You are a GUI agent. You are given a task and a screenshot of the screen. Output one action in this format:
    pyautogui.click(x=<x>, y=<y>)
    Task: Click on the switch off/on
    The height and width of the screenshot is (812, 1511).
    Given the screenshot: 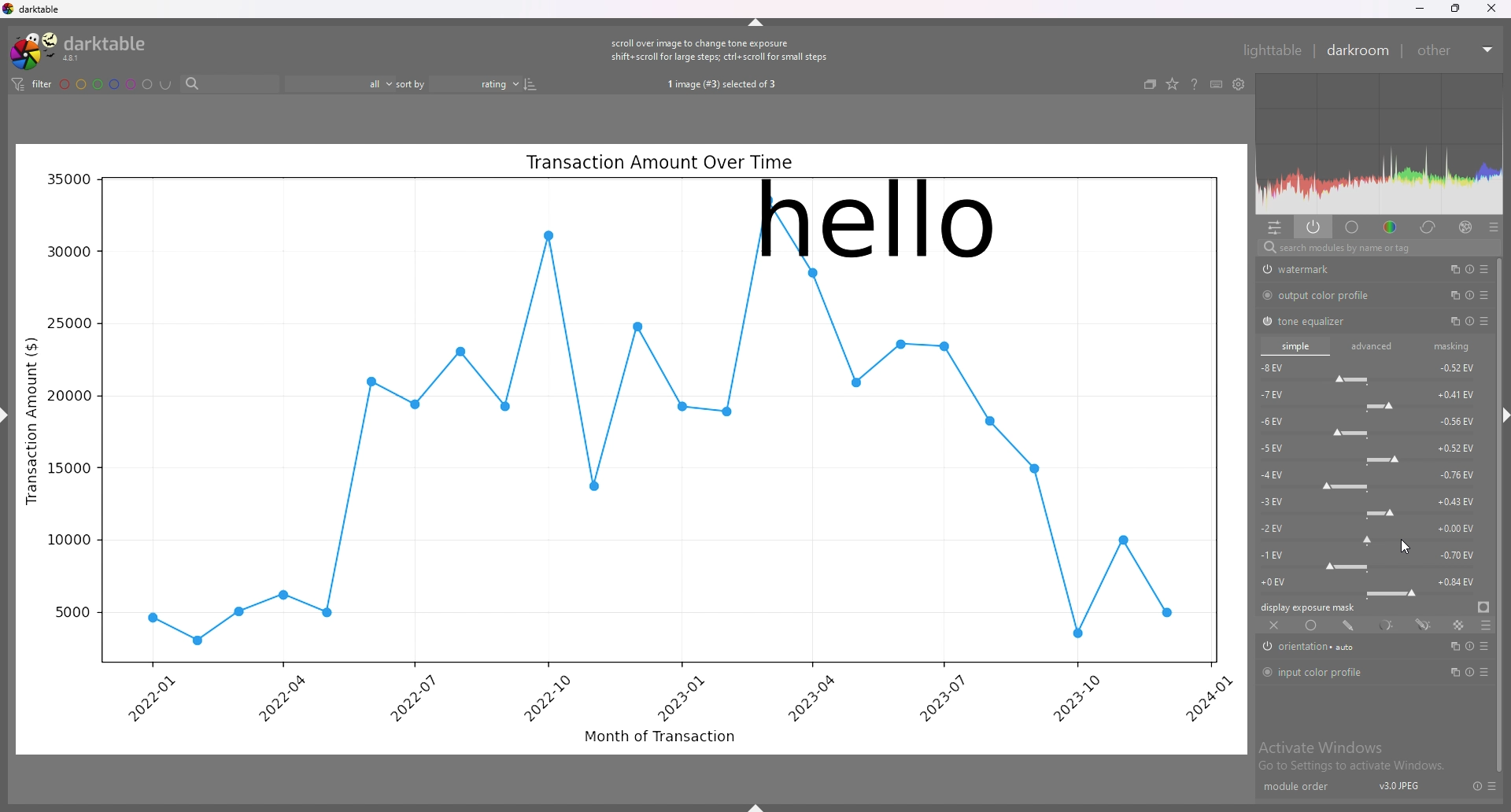 What is the action you would take?
    pyautogui.click(x=1267, y=672)
    